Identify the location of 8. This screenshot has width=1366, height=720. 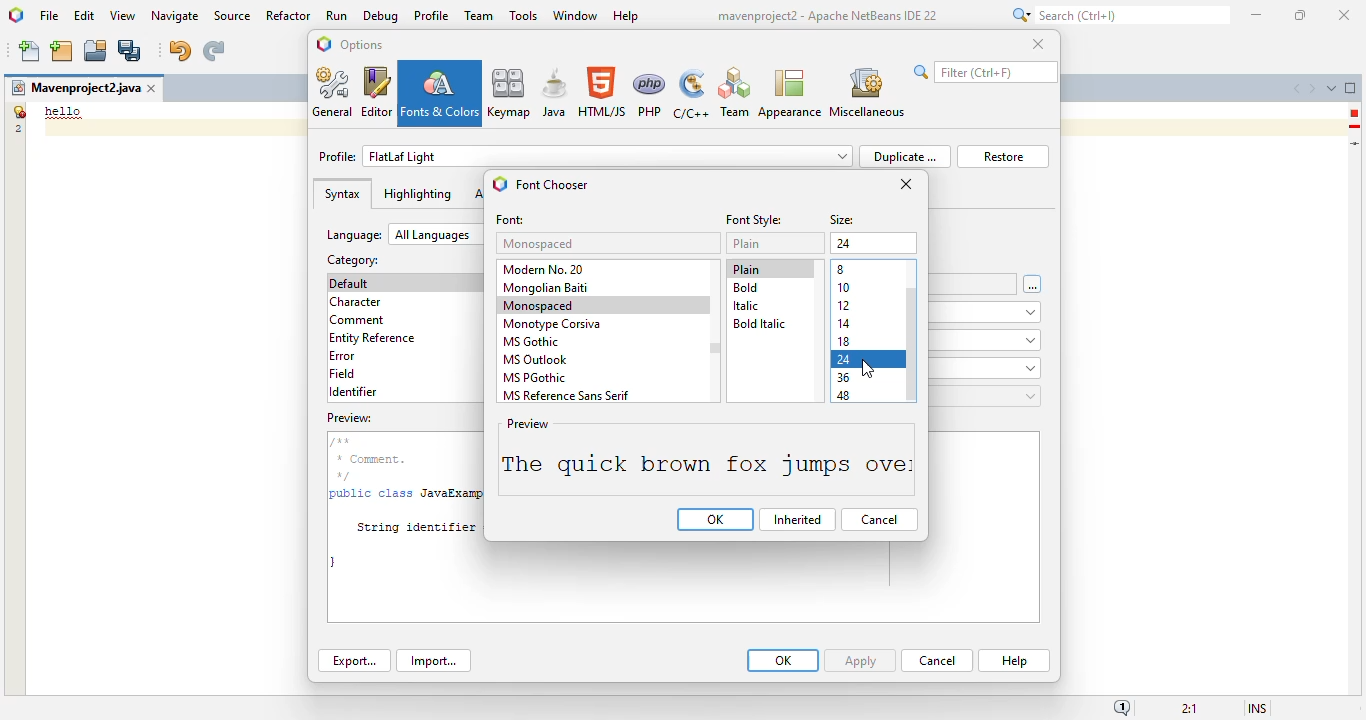
(842, 270).